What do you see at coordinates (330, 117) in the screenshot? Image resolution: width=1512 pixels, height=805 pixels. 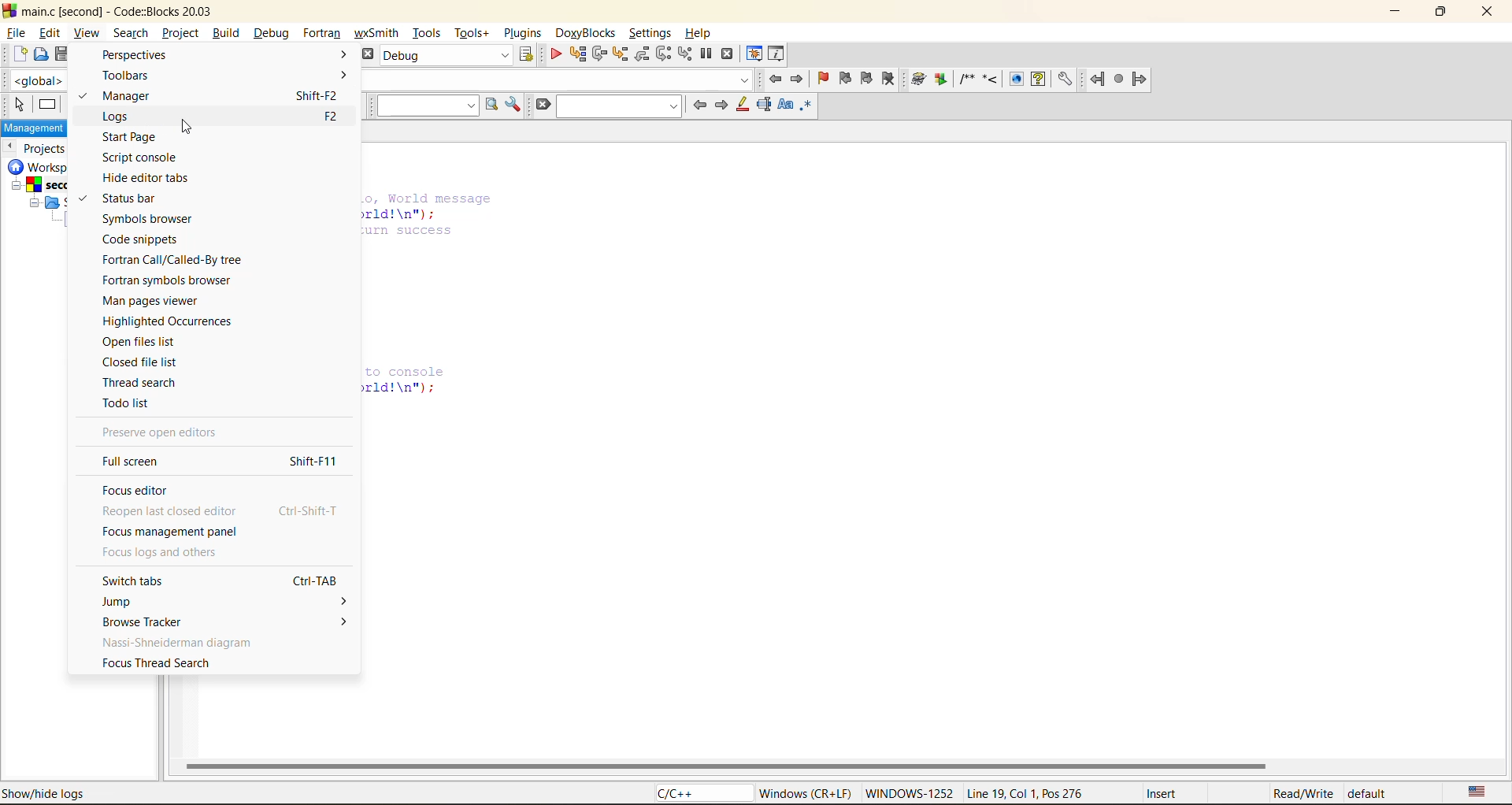 I see `F2` at bounding box center [330, 117].